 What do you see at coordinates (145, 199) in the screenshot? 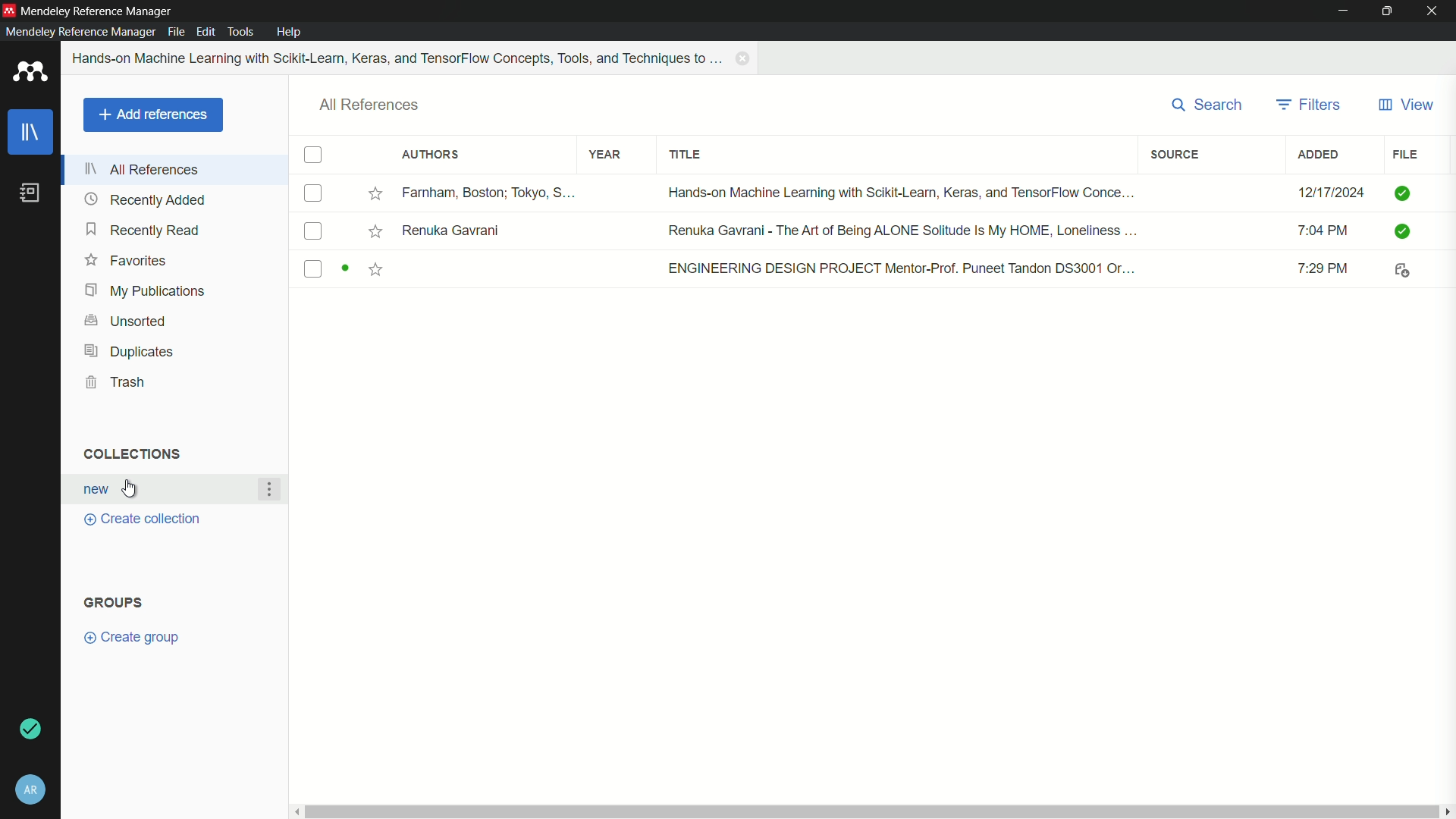
I see `recently added` at bounding box center [145, 199].